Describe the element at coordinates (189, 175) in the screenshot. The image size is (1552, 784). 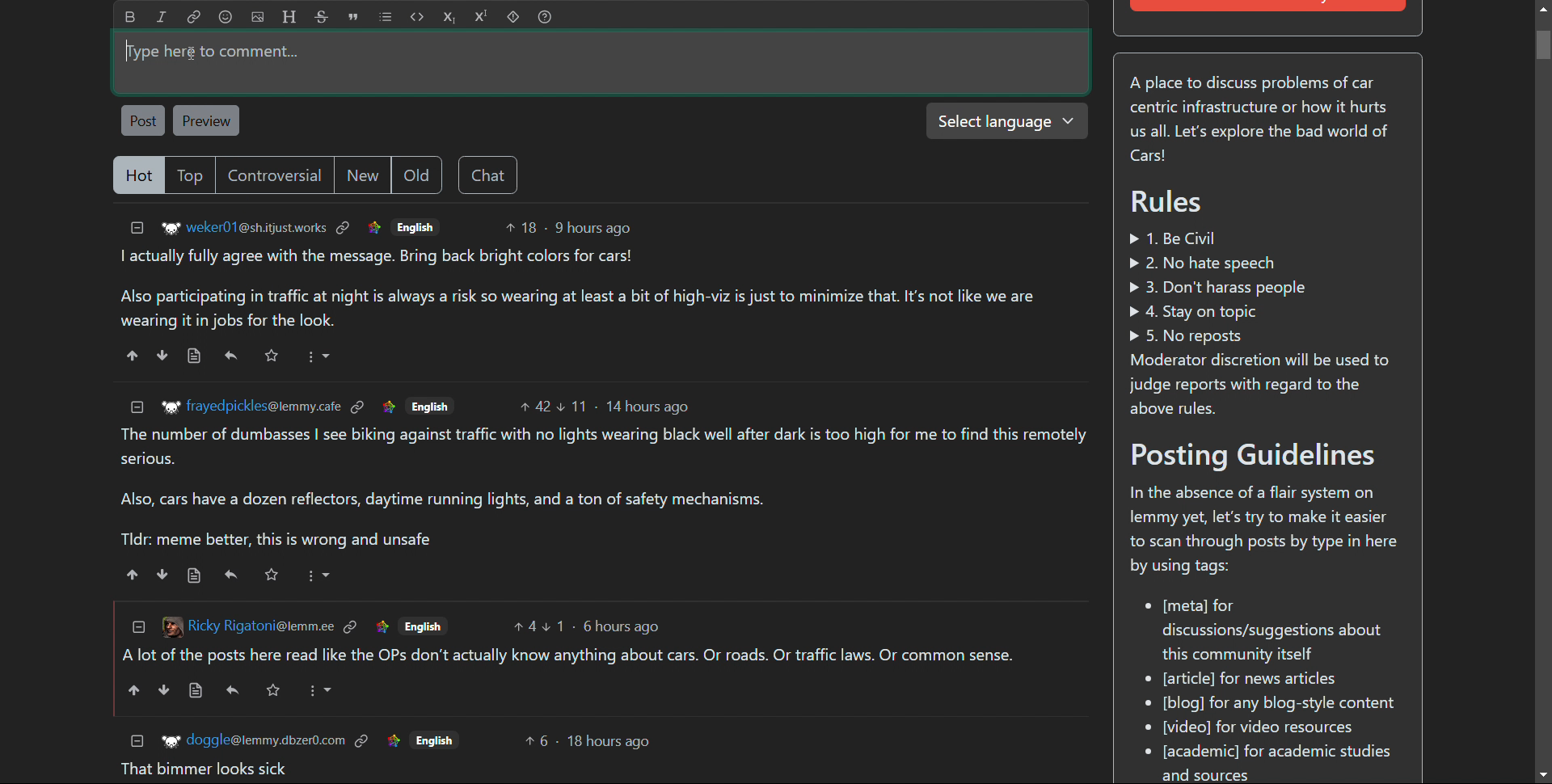
I see `top` at that location.